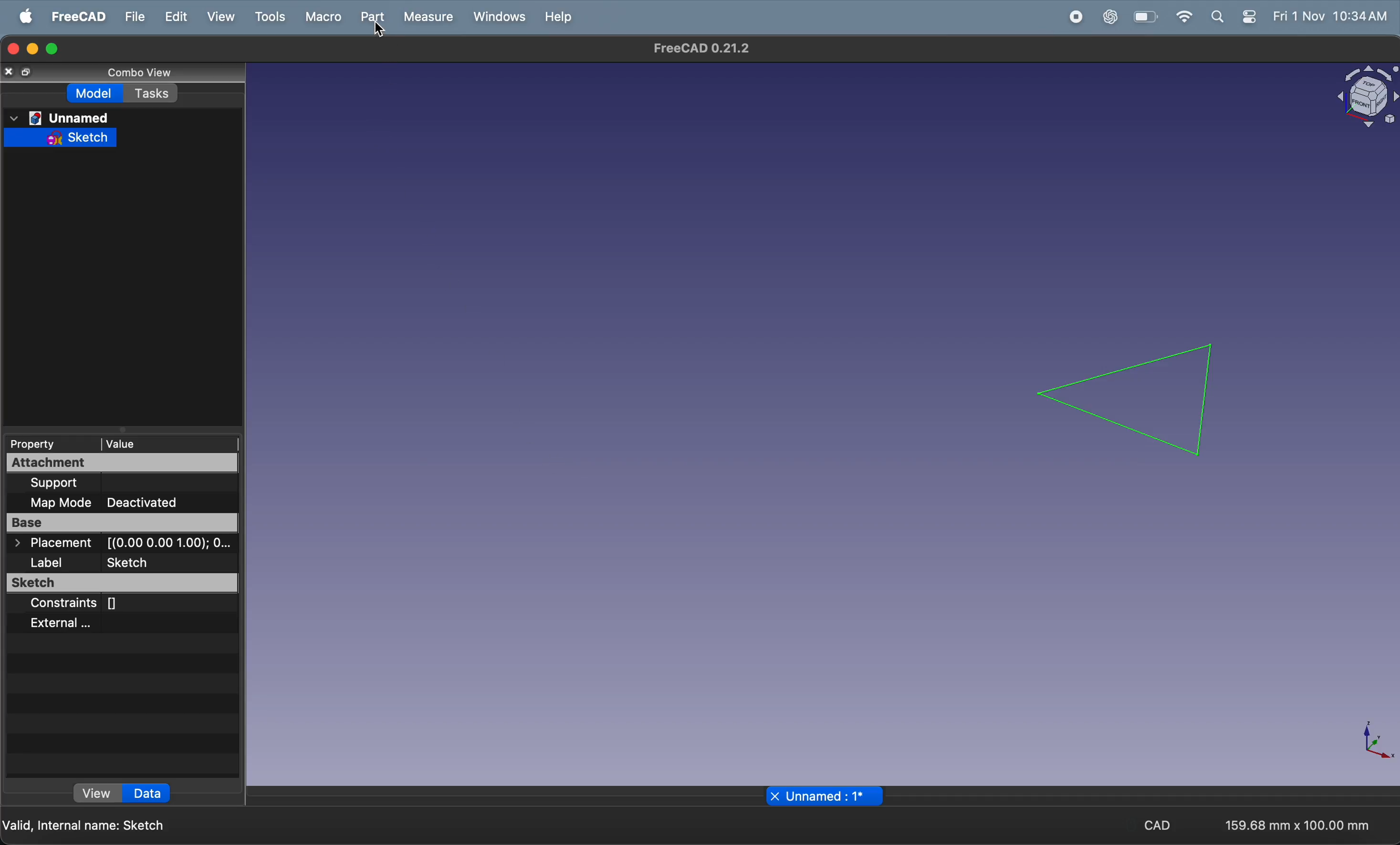  Describe the element at coordinates (774, 796) in the screenshot. I see `close` at that location.